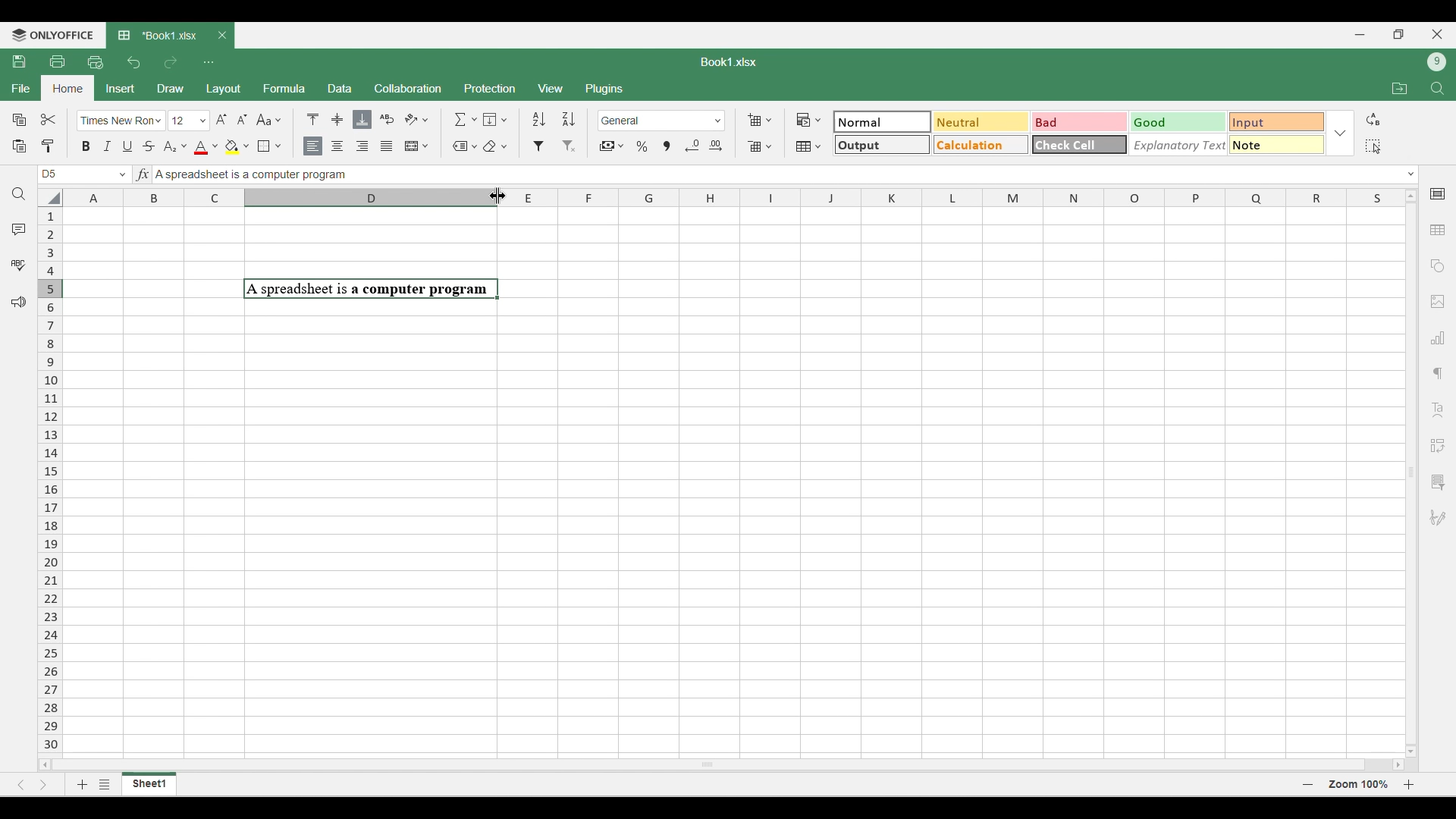  I want to click on Text alignment, so click(1438, 409).